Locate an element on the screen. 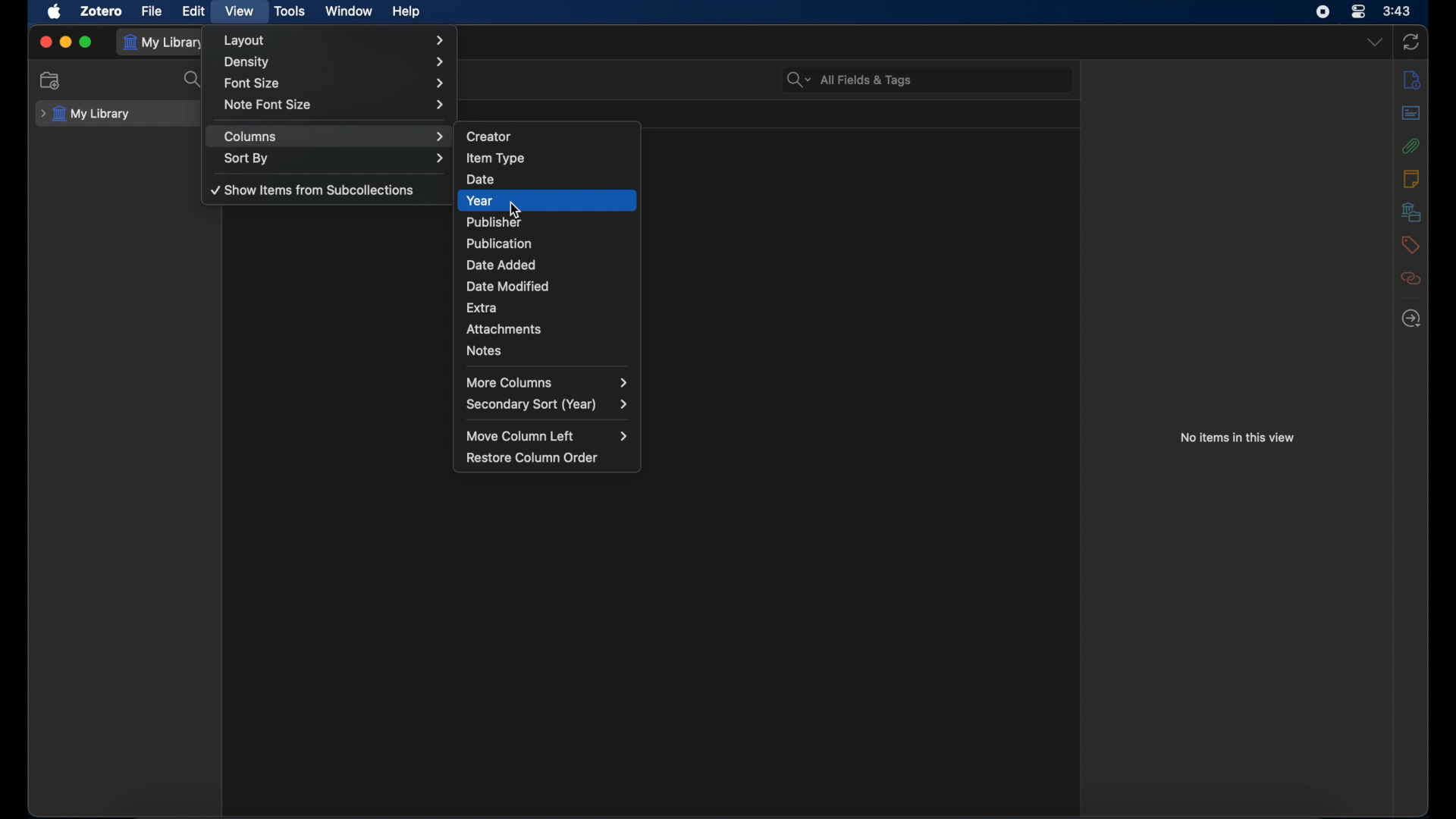 The image size is (1456, 819). zotero is located at coordinates (102, 11).